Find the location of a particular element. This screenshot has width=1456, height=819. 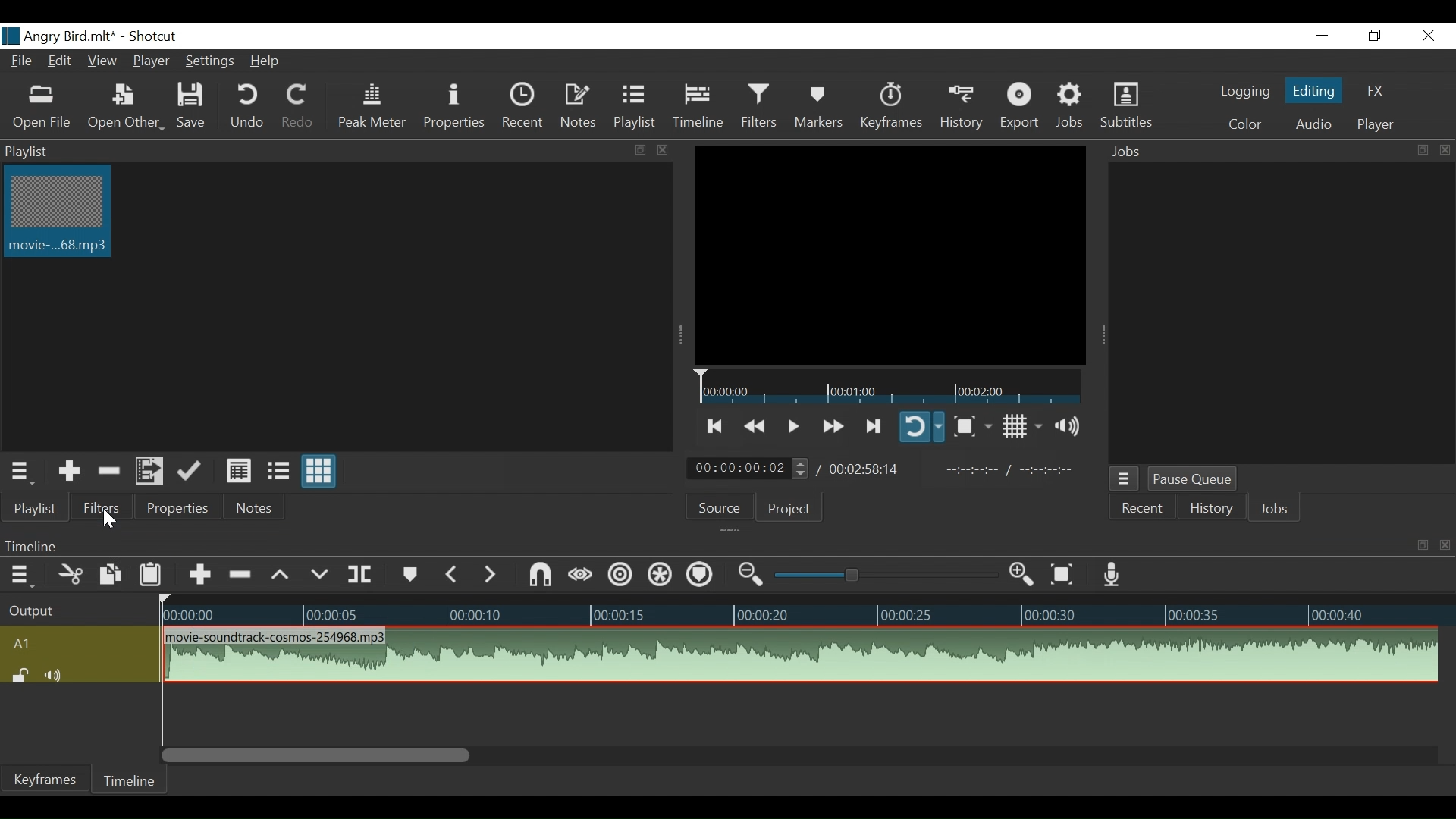

Paste is located at coordinates (152, 574).